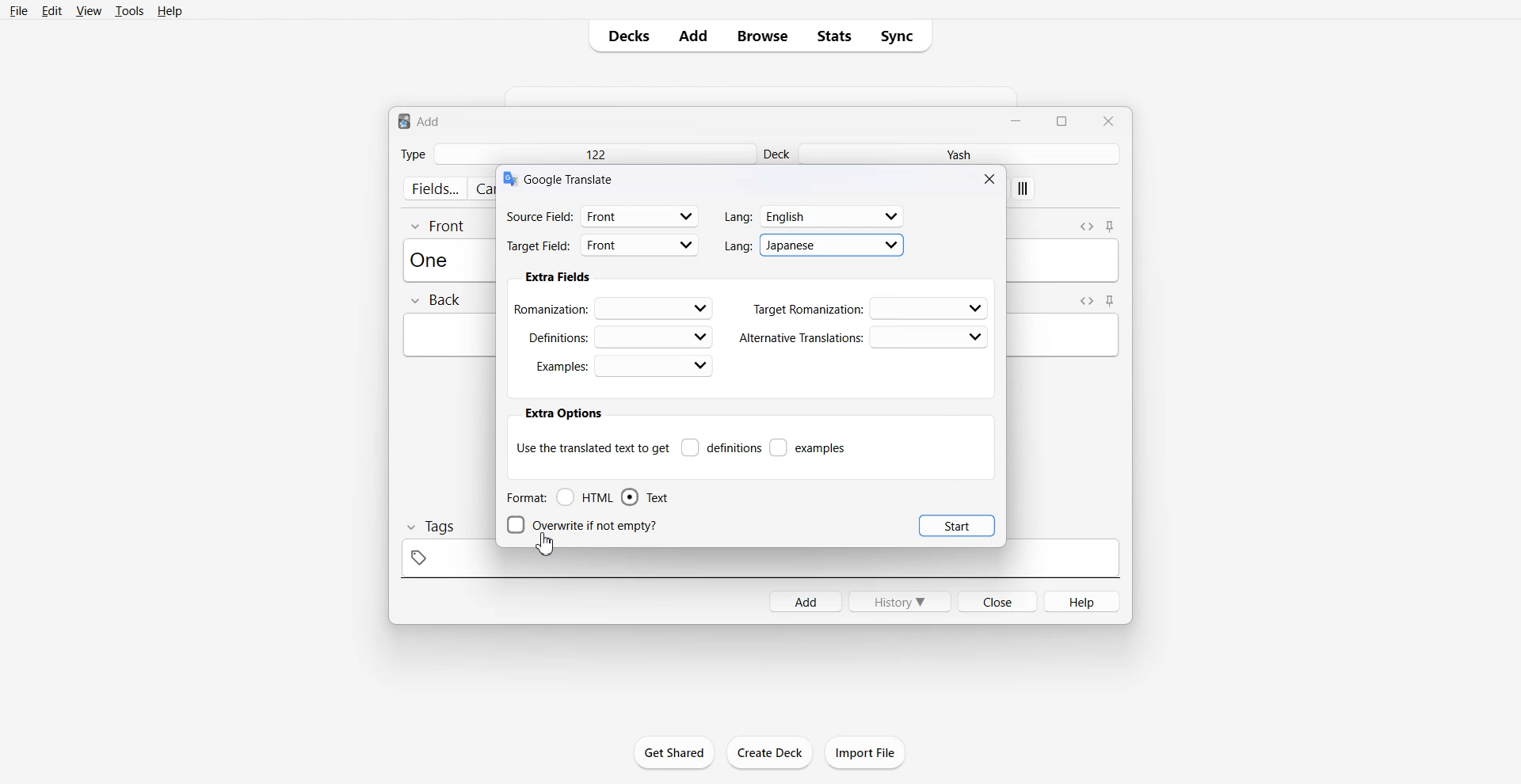 The width and height of the screenshot is (1521, 784). Describe the element at coordinates (1084, 300) in the screenshot. I see `Toggle HTML Editor` at that location.